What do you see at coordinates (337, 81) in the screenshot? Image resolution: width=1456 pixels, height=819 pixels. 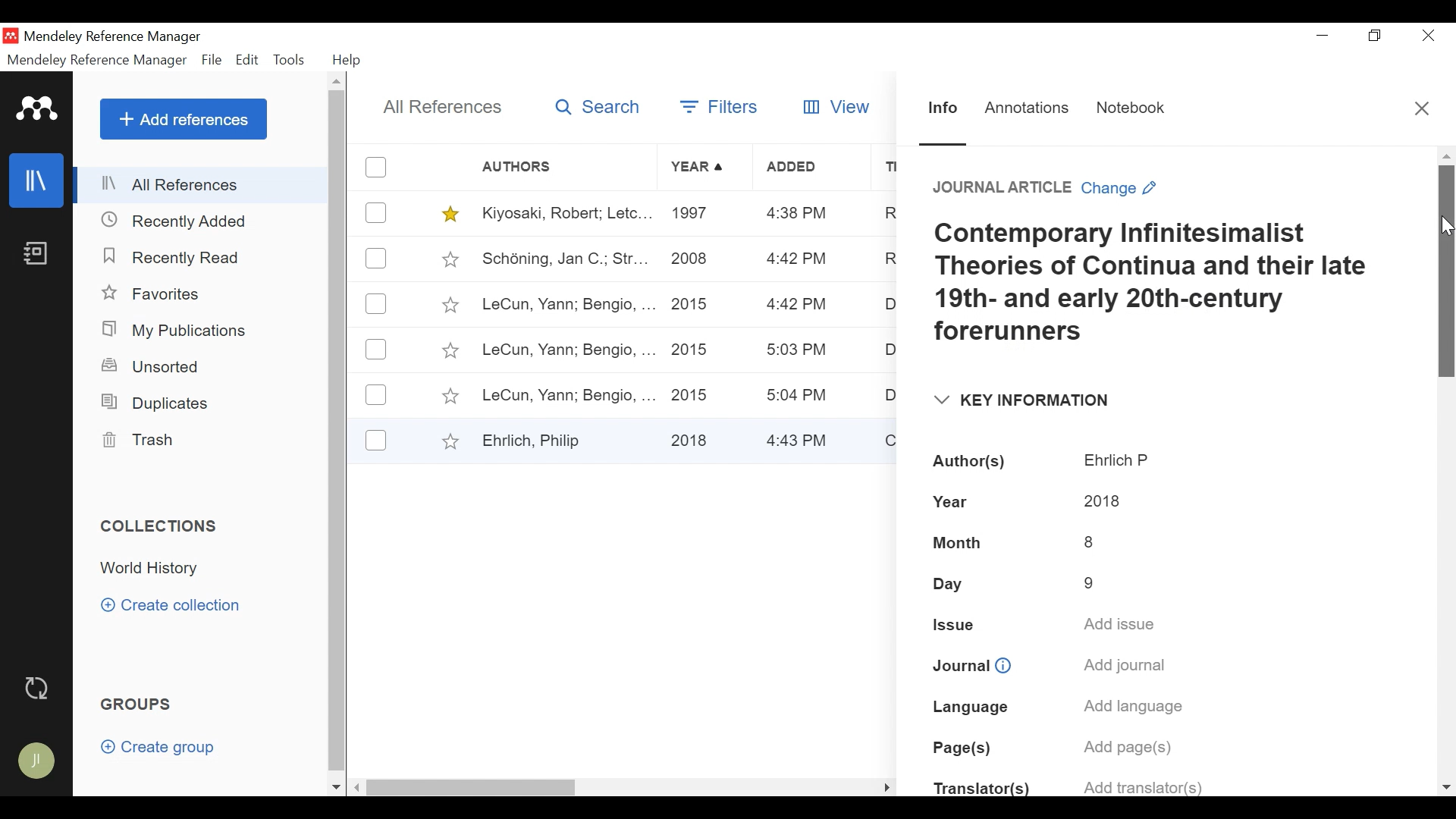 I see `Scroll up` at bounding box center [337, 81].